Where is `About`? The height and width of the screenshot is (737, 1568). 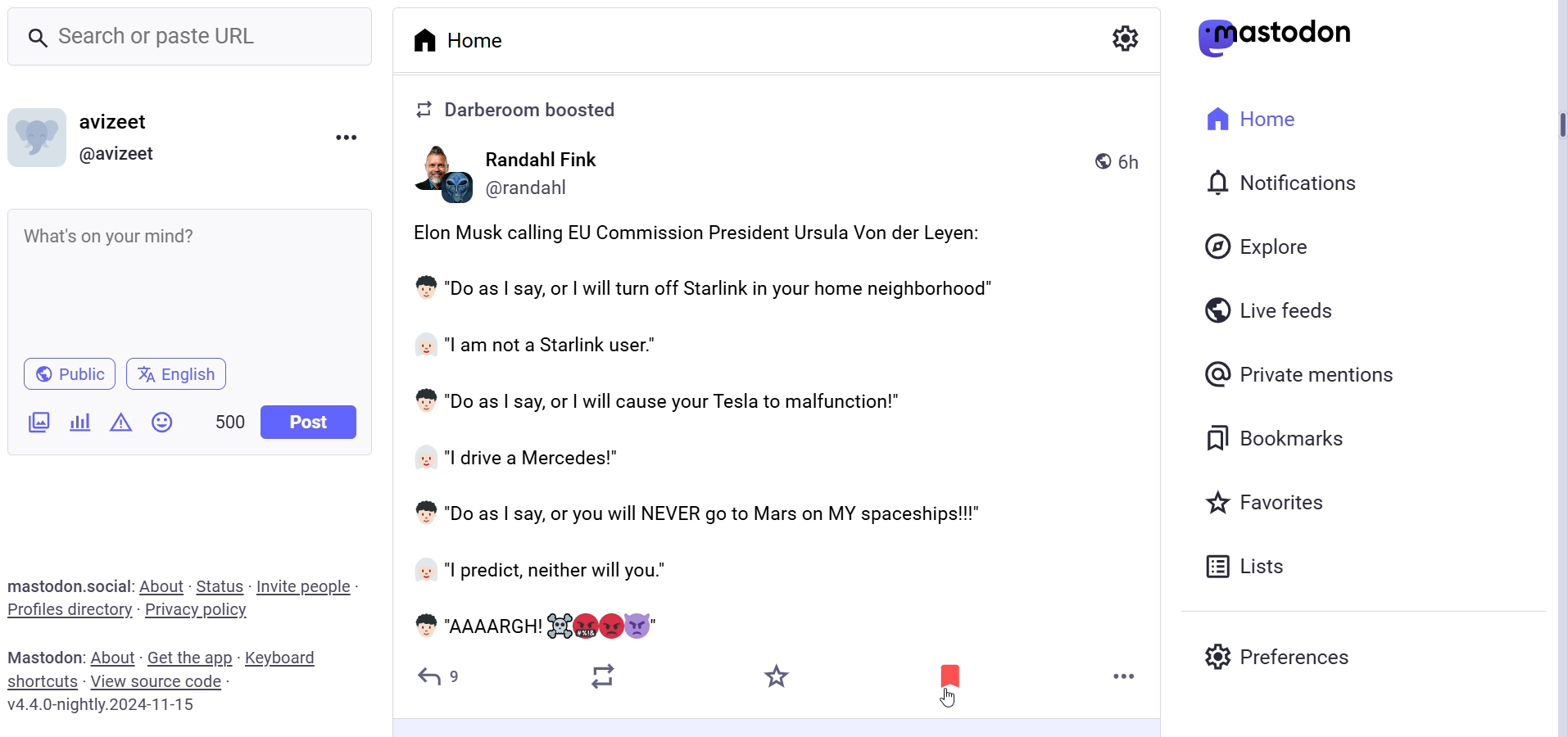
About is located at coordinates (161, 586).